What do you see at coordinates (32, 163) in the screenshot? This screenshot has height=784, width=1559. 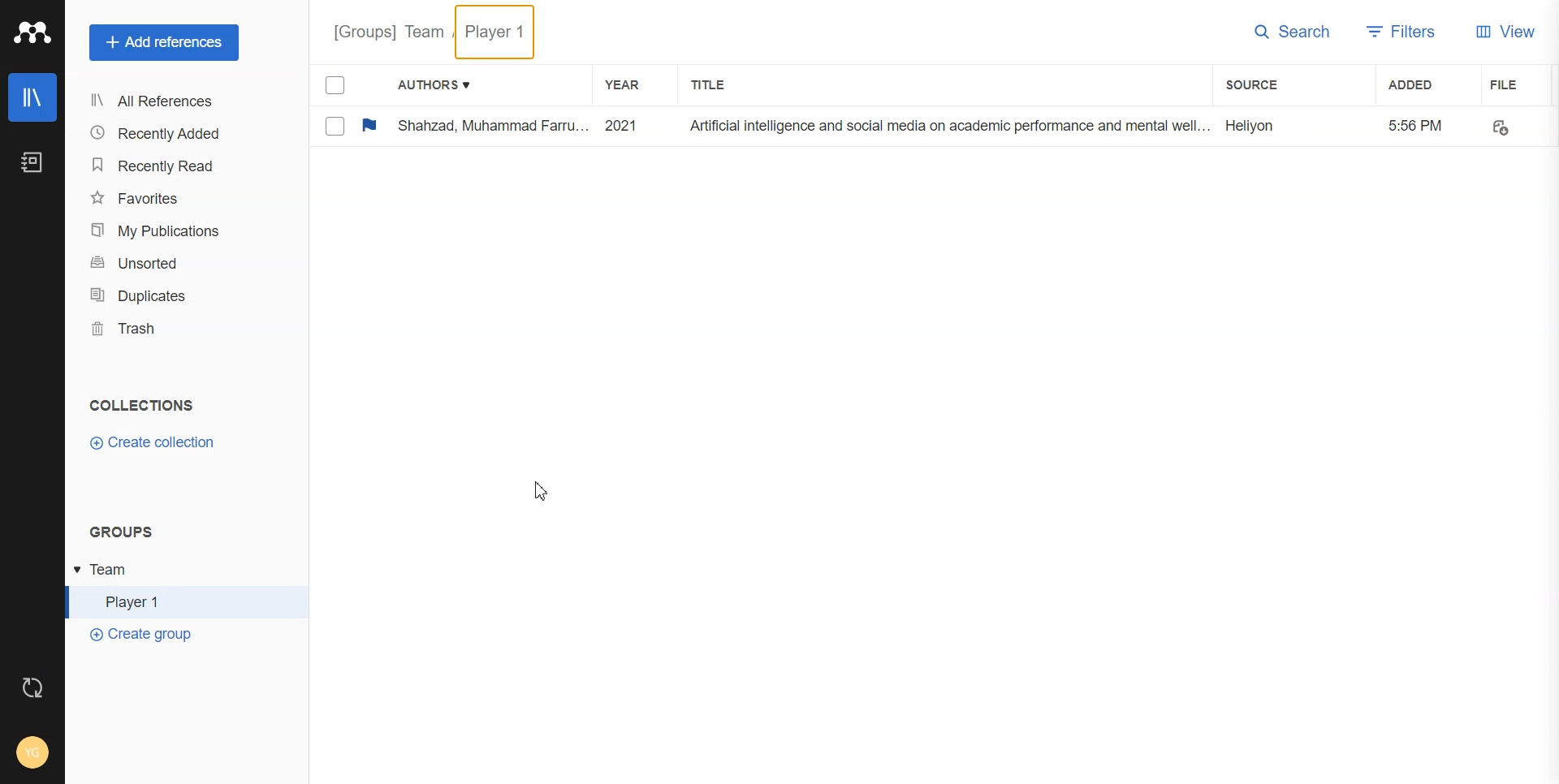 I see `Notebook` at bounding box center [32, 163].